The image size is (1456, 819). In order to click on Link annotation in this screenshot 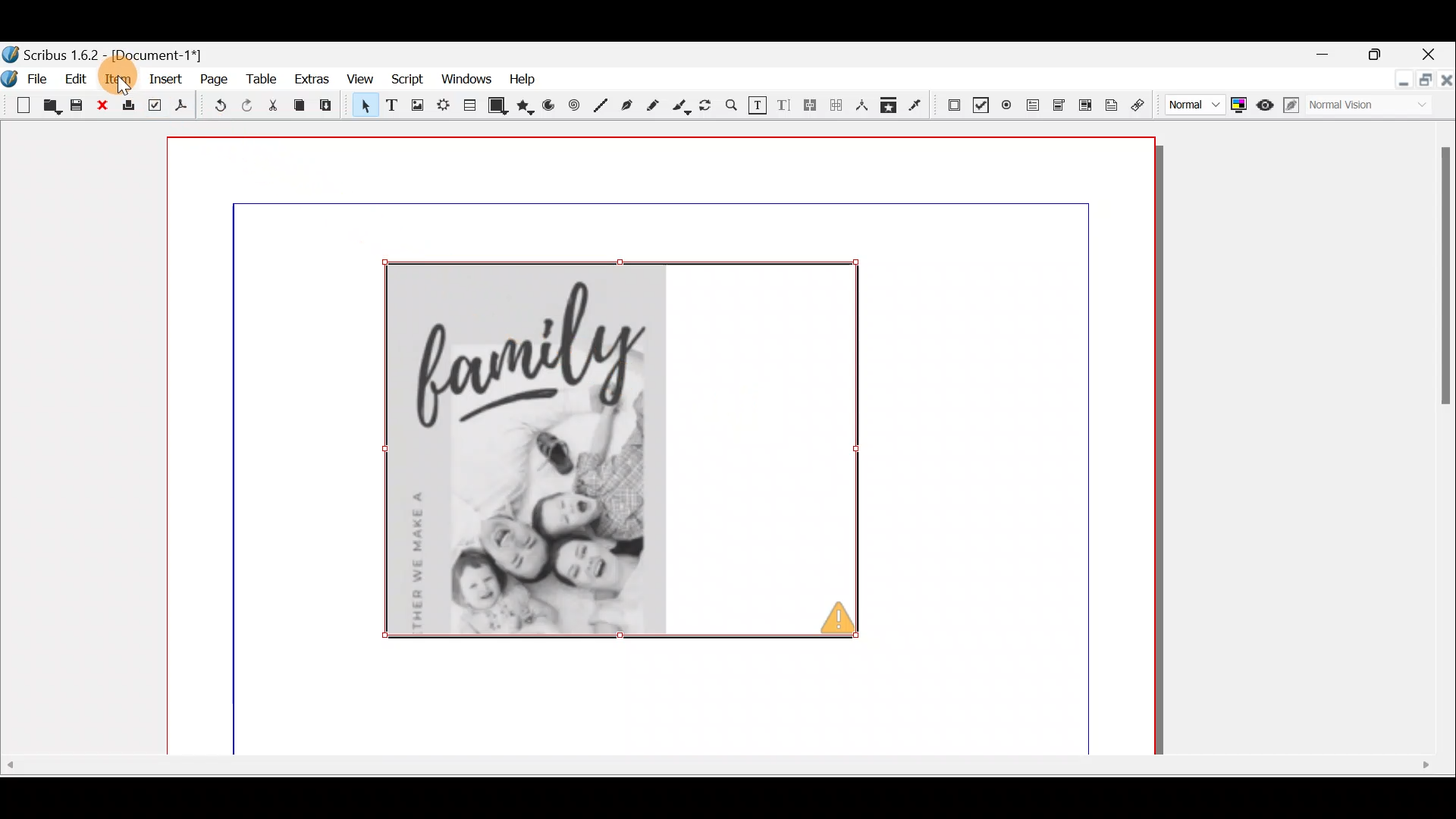, I will do `click(1141, 105)`.